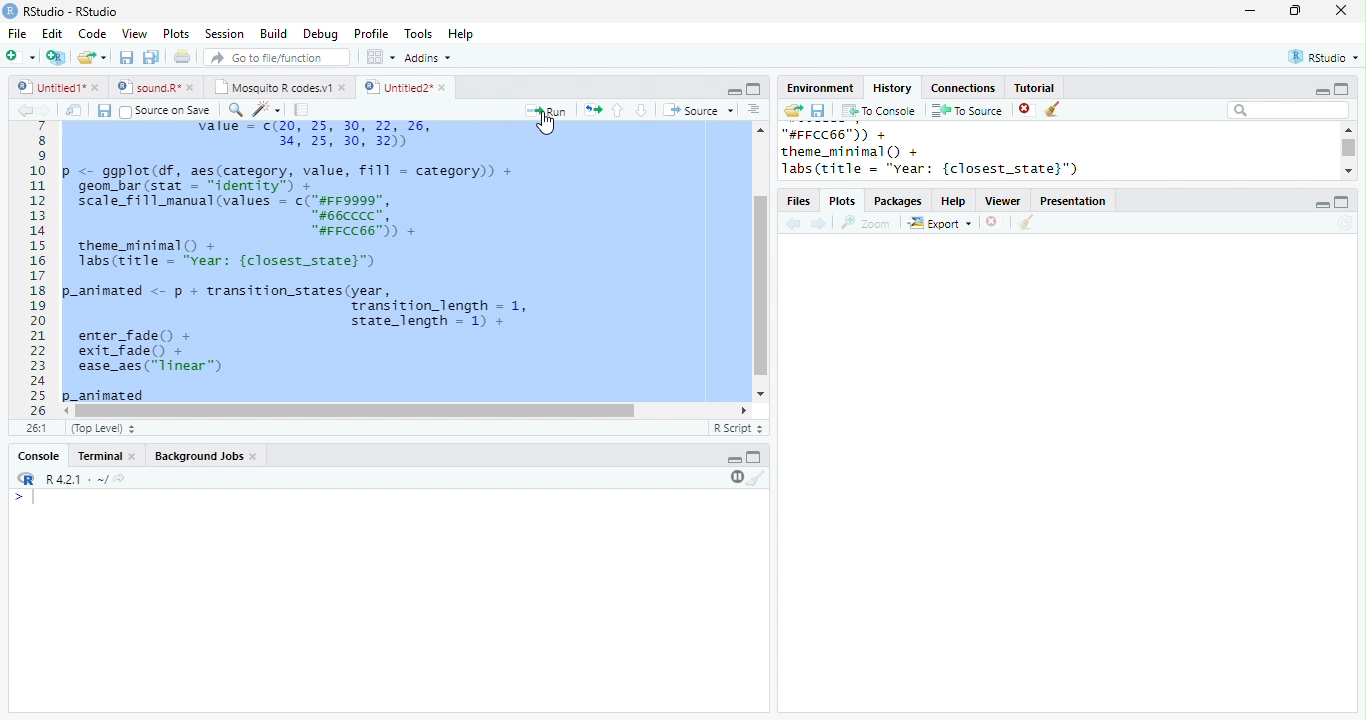 The image size is (1366, 720). Describe the element at coordinates (147, 88) in the screenshot. I see `sound.R` at that location.